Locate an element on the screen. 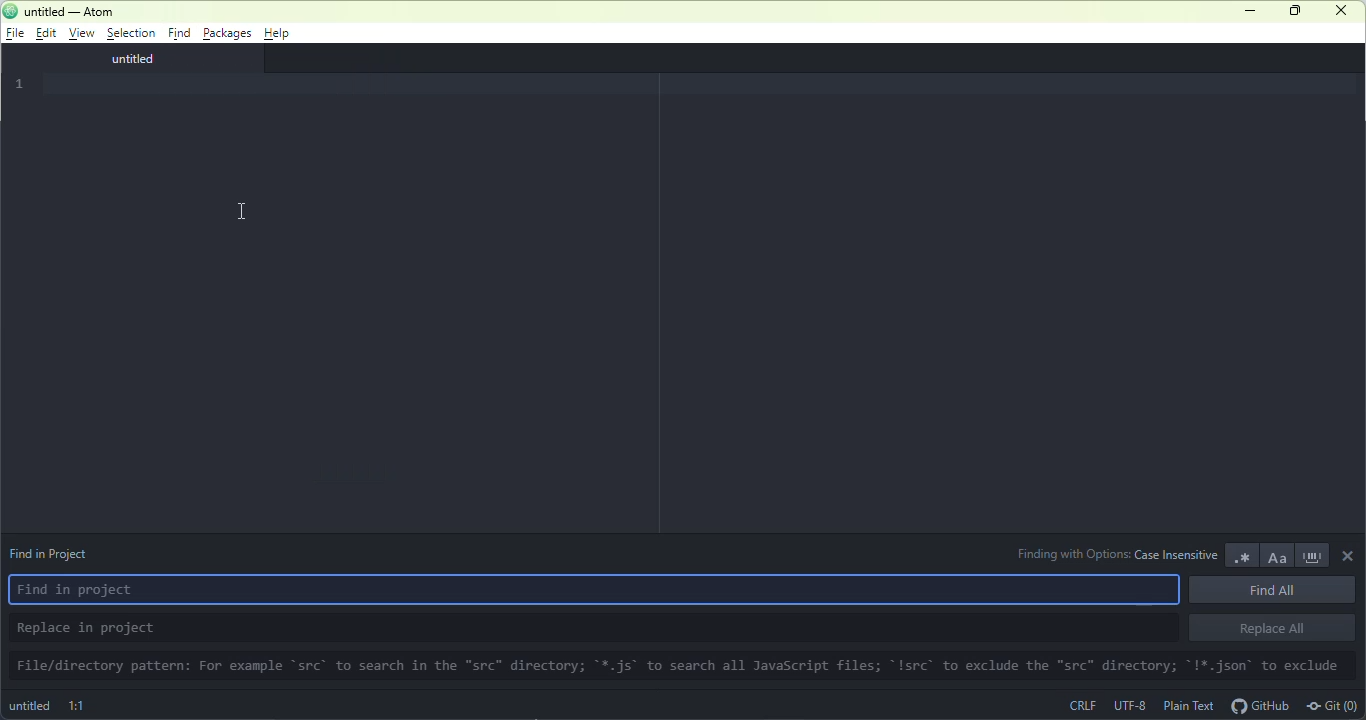 Image resolution: width=1366 pixels, height=720 pixels. 1 is located at coordinates (22, 83).